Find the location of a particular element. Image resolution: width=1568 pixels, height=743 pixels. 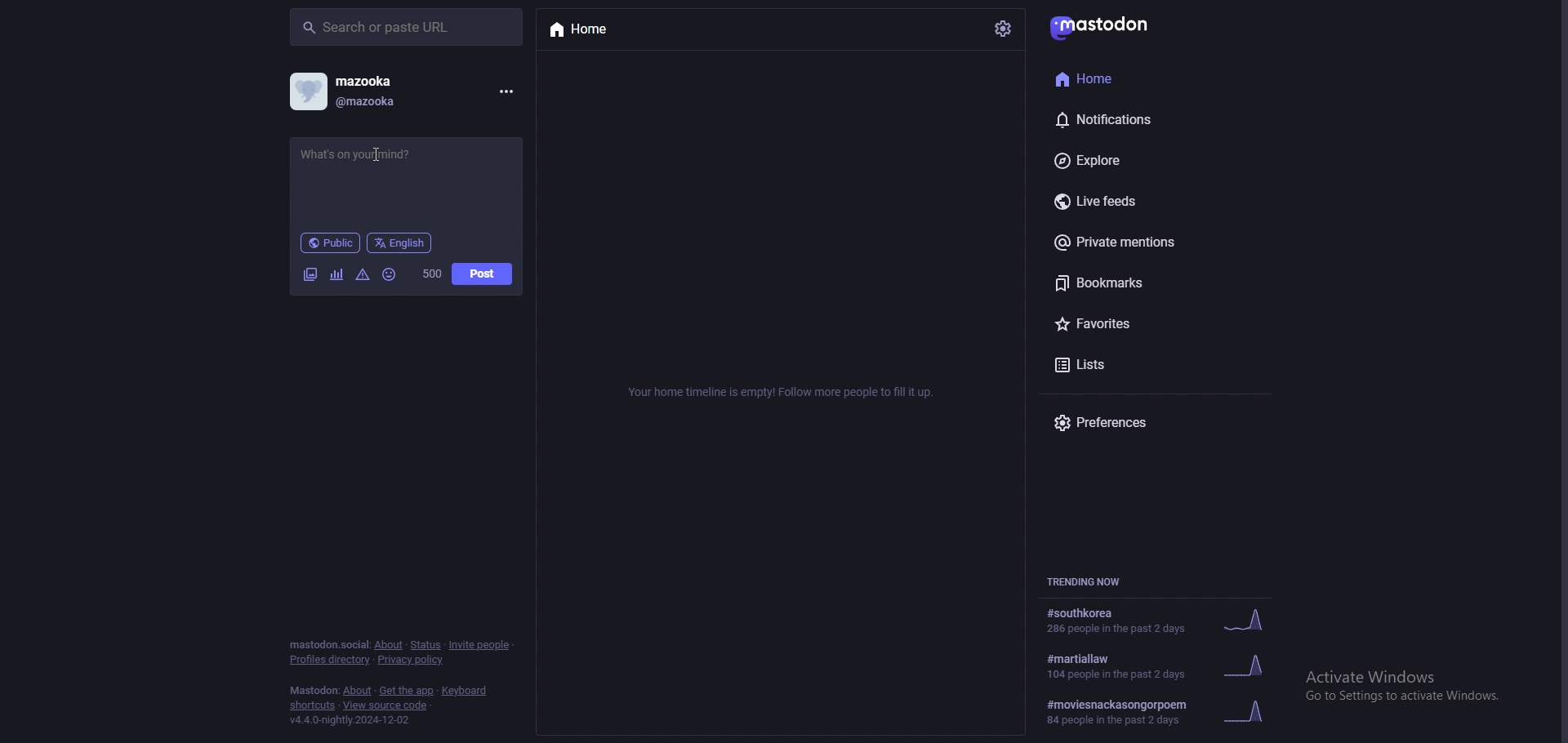

images is located at coordinates (312, 275).